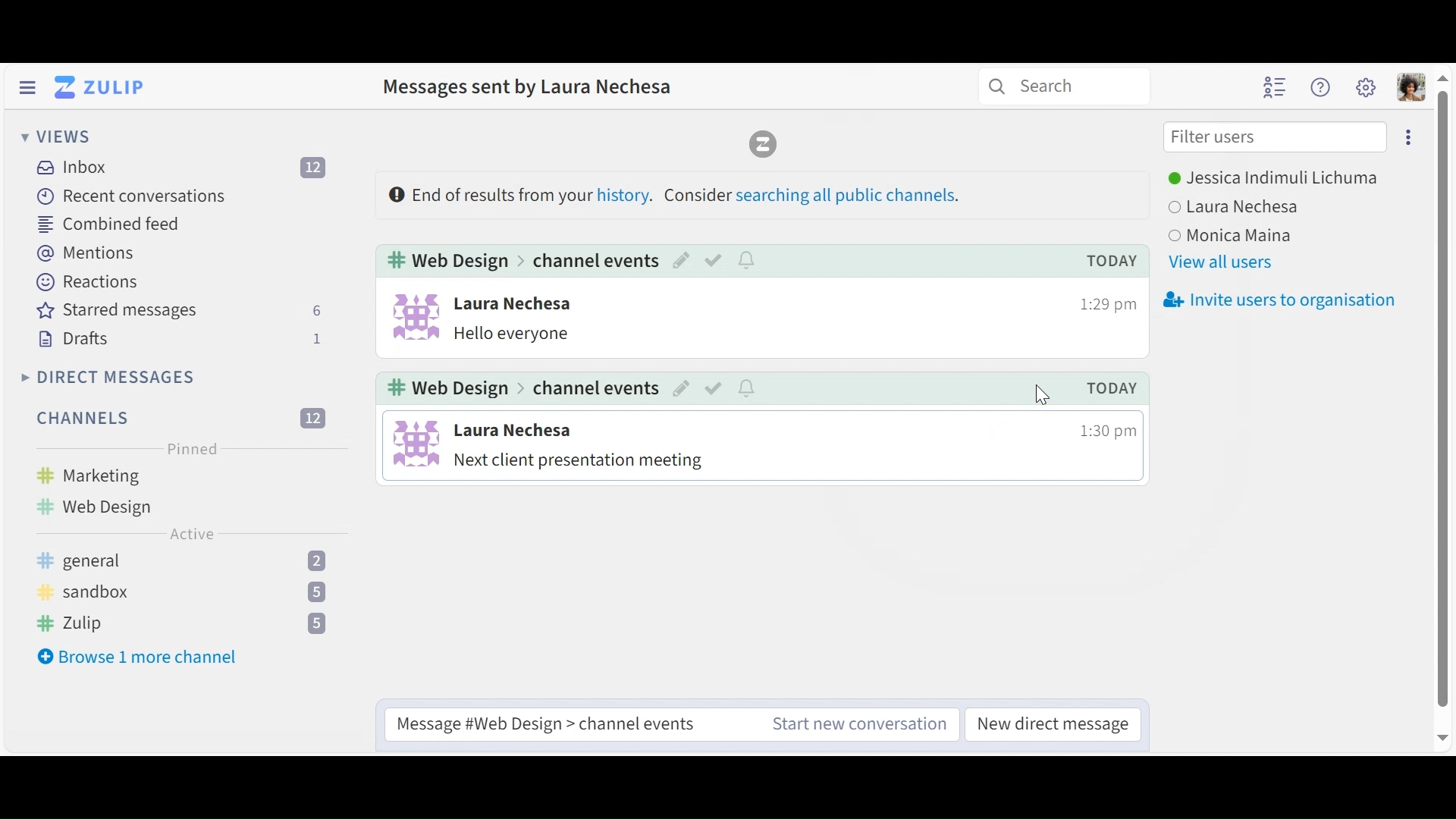 The height and width of the screenshot is (819, 1456). What do you see at coordinates (179, 337) in the screenshot?
I see `Drafts` at bounding box center [179, 337].